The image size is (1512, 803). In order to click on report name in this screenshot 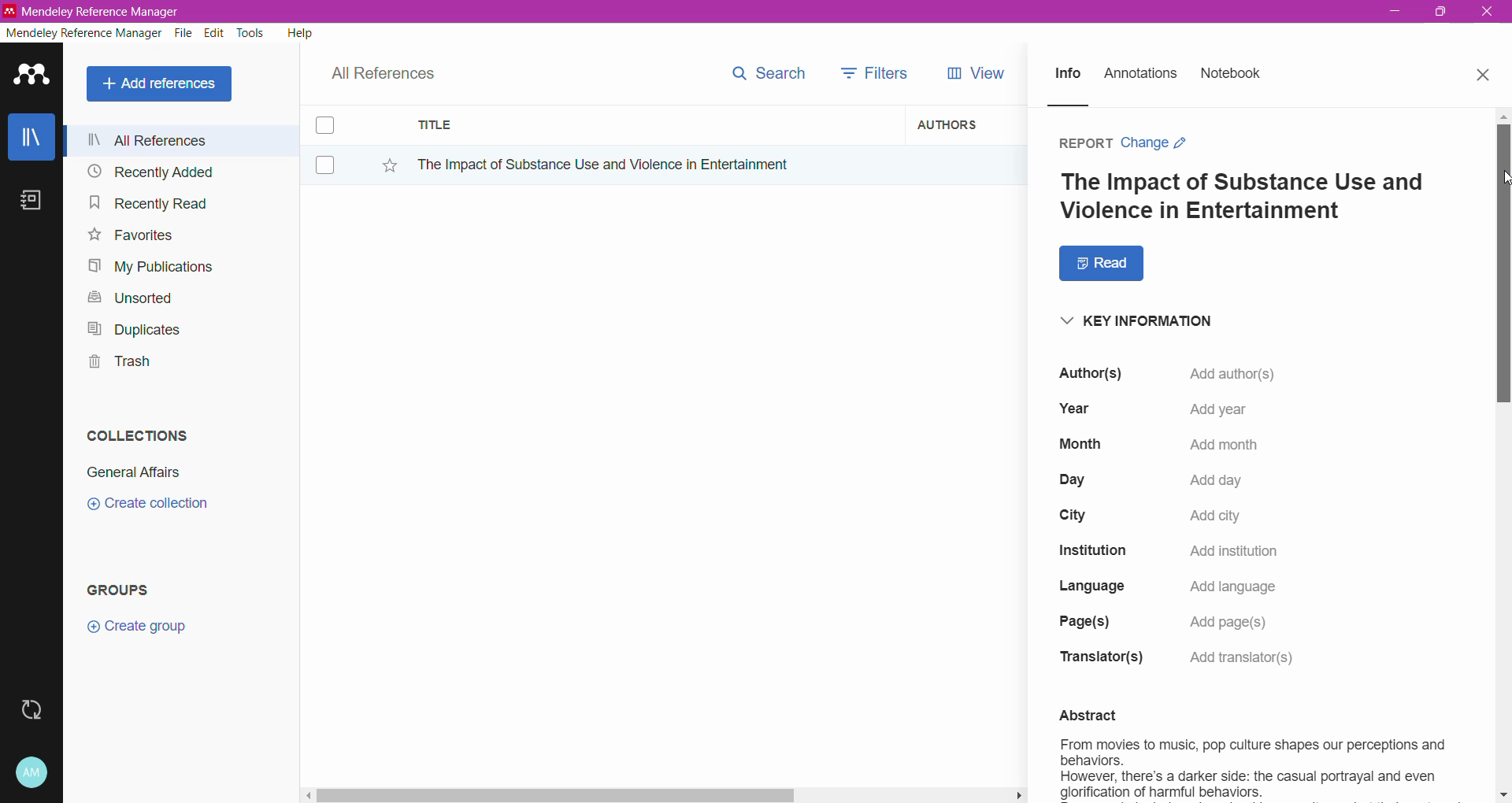, I will do `click(1243, 198)`.